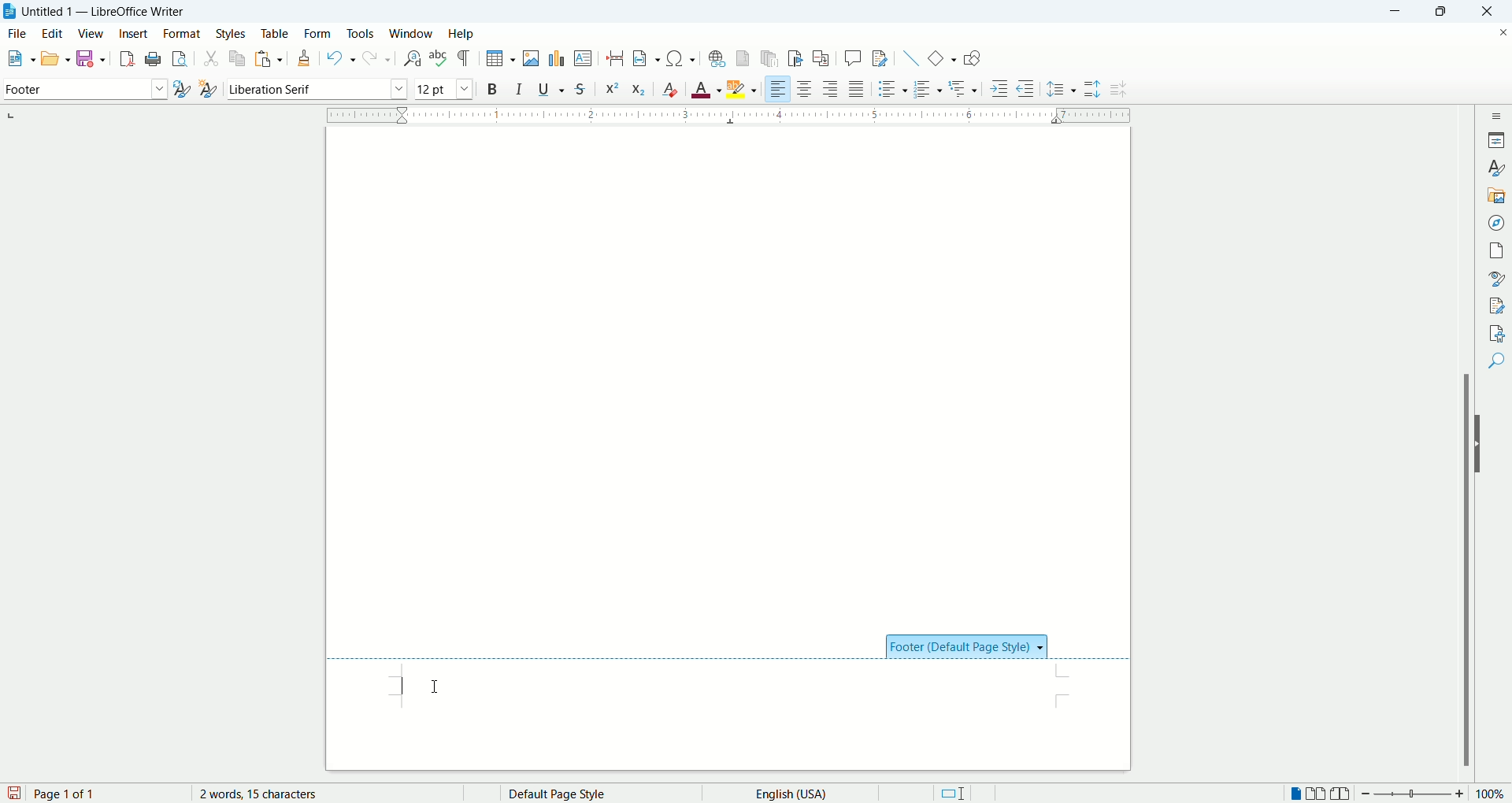 The width and height of the screenshot is (1512, 803). What do you see at coordinates (832, 91) in the screenshot?
I see `align right` at bounding box center [832, 91].